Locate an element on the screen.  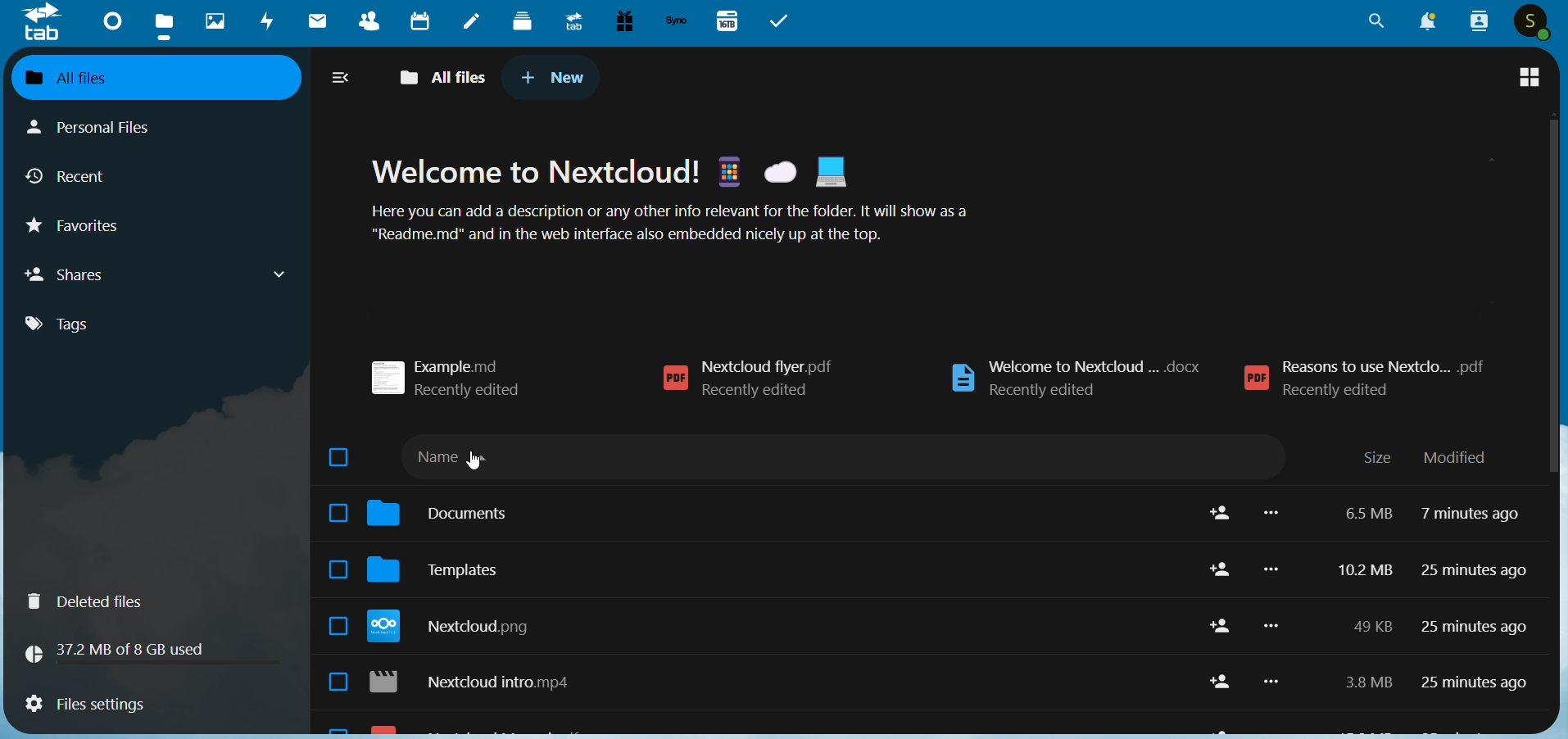
Activvity is located at coordinates (266, 21).